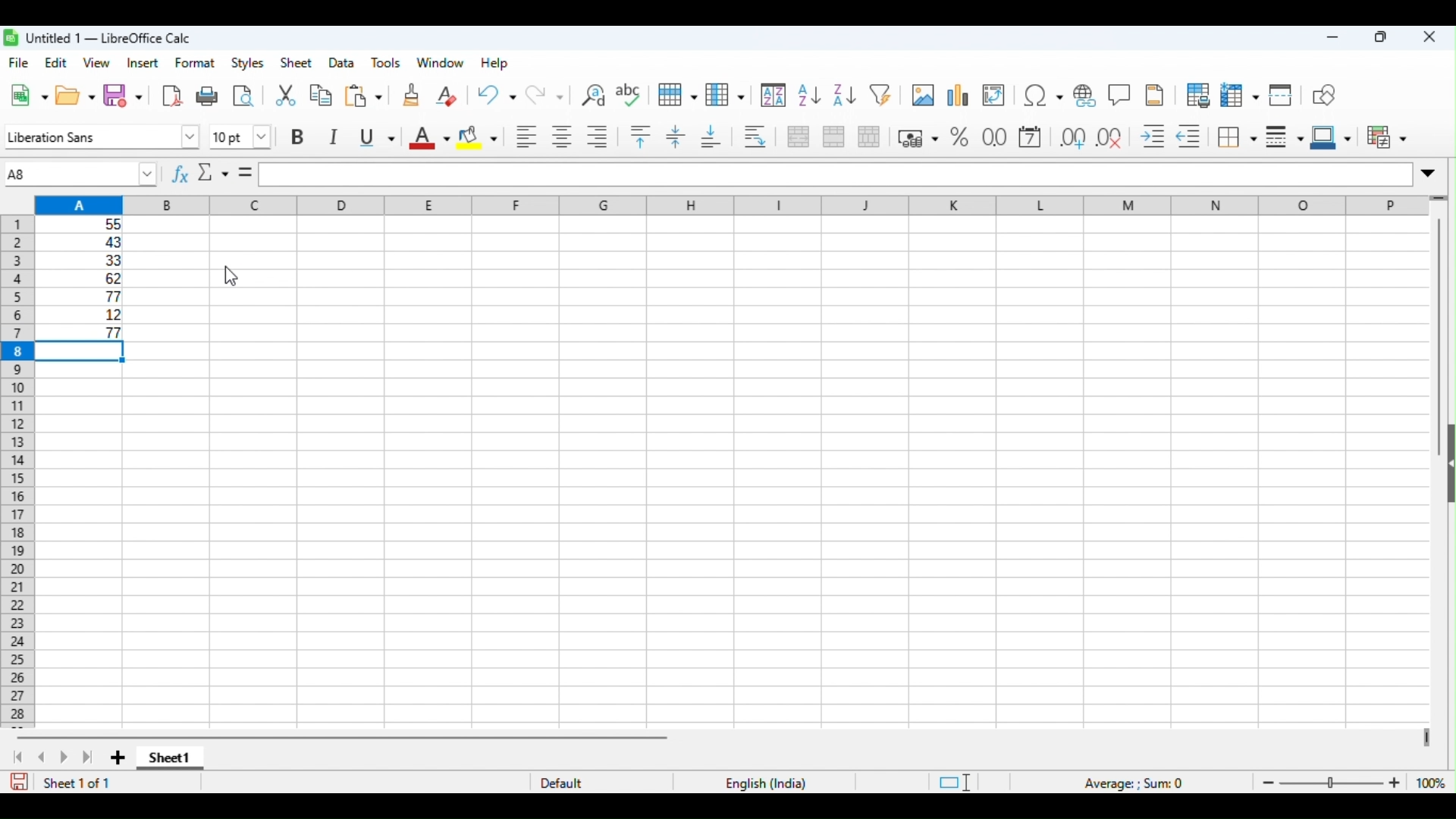 The height and width of the screenshot is (819, 1456). What do you see at coordinates (341, 61) in the screenshot?
I see `data` at bounding box center [341, 61].